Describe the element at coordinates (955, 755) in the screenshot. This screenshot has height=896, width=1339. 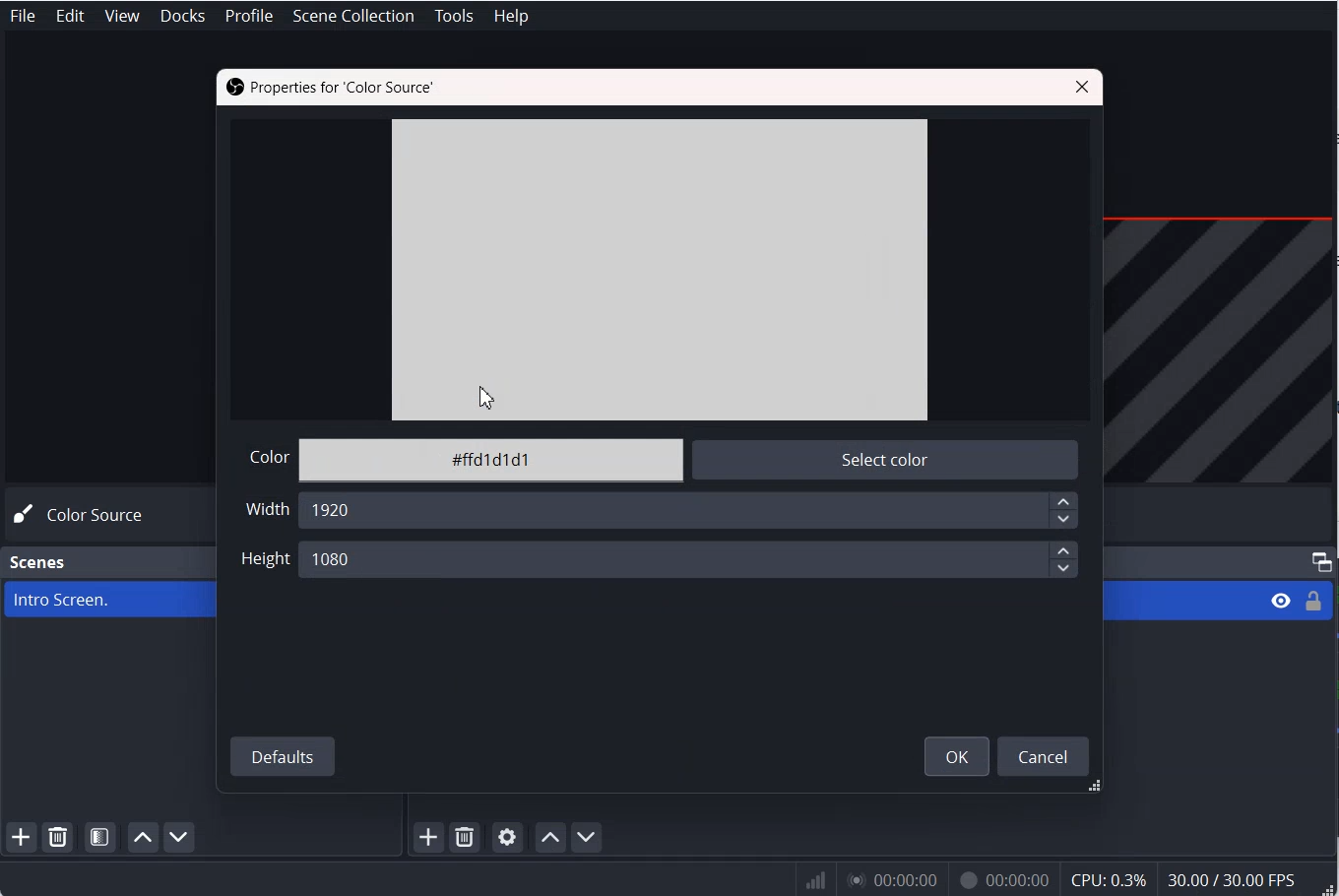
I see `OK` at that location.